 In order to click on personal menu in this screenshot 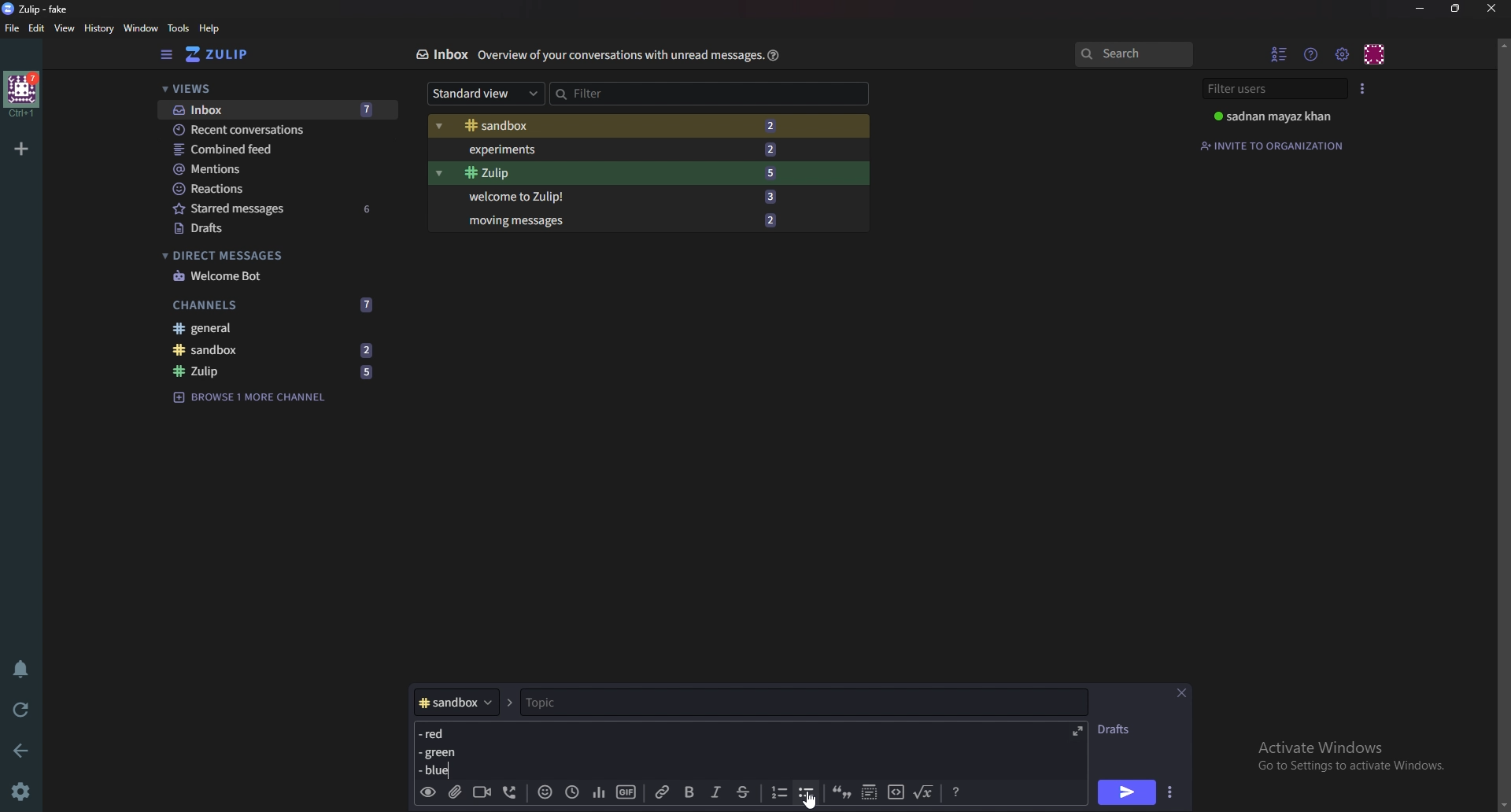, I will do `click(1376, 54)`.